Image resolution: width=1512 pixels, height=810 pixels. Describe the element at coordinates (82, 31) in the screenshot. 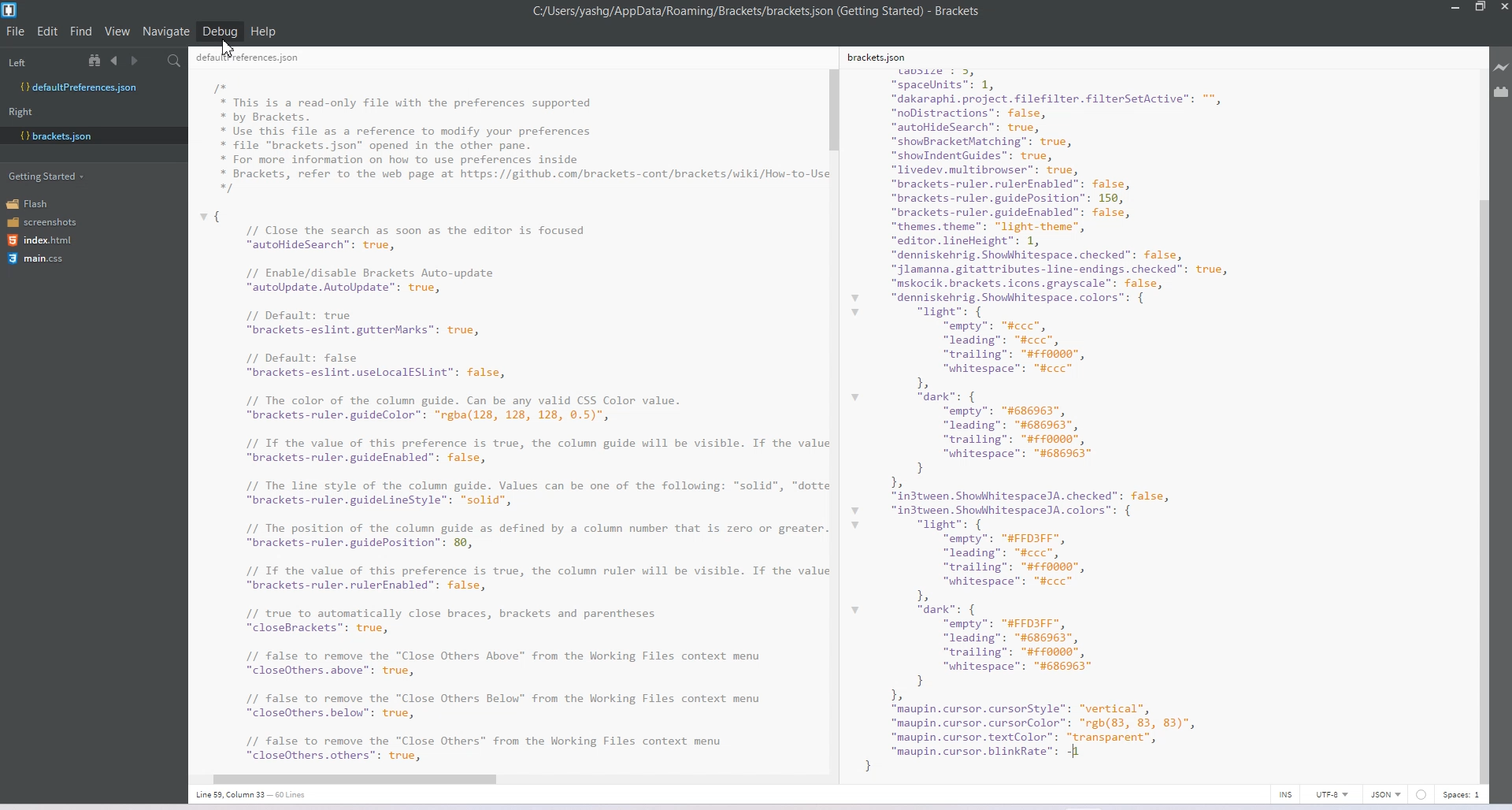

I see `Find` at that location.